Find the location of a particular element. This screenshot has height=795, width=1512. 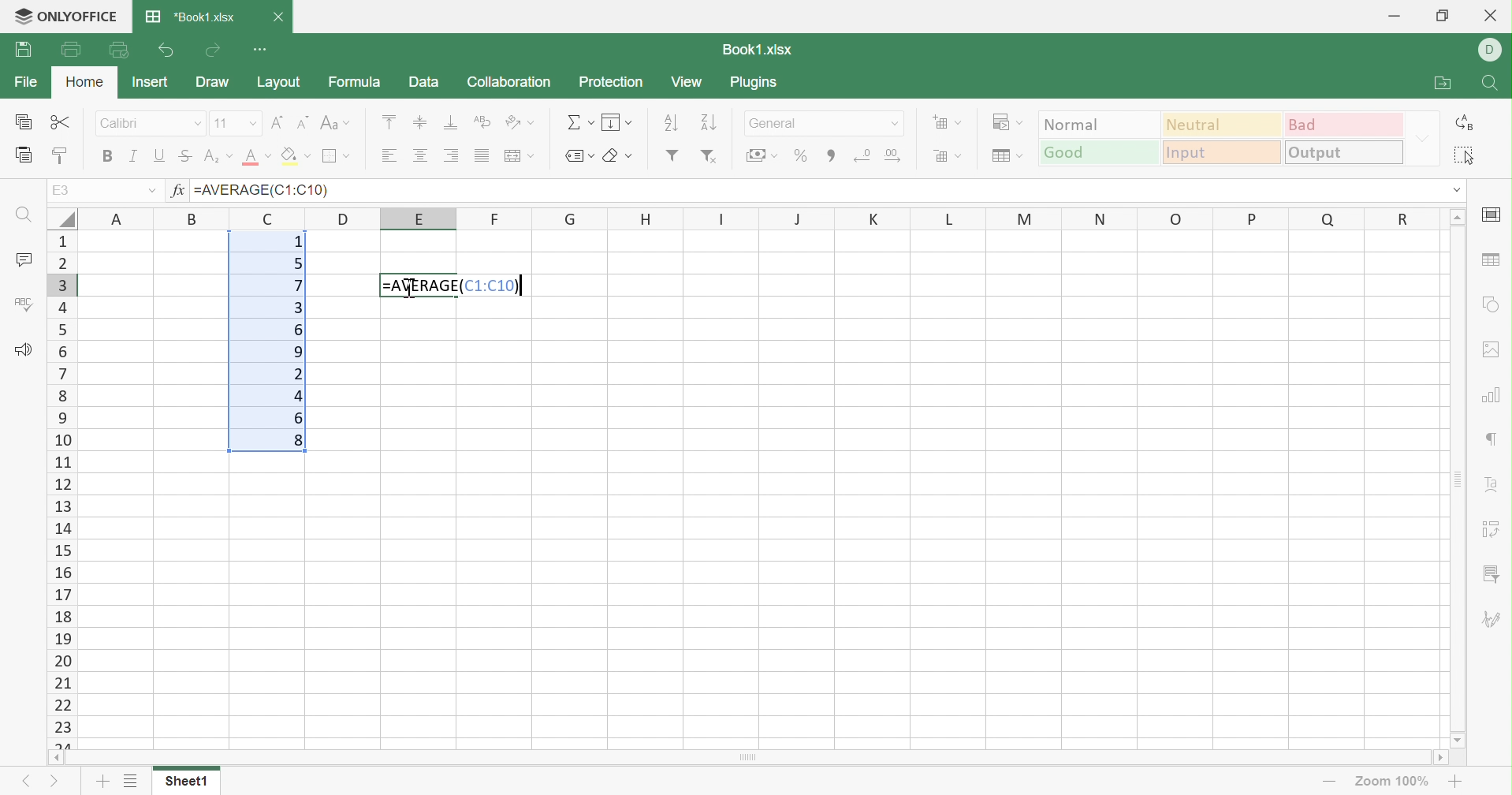

Drop Down is located at coordinates (895, 123).